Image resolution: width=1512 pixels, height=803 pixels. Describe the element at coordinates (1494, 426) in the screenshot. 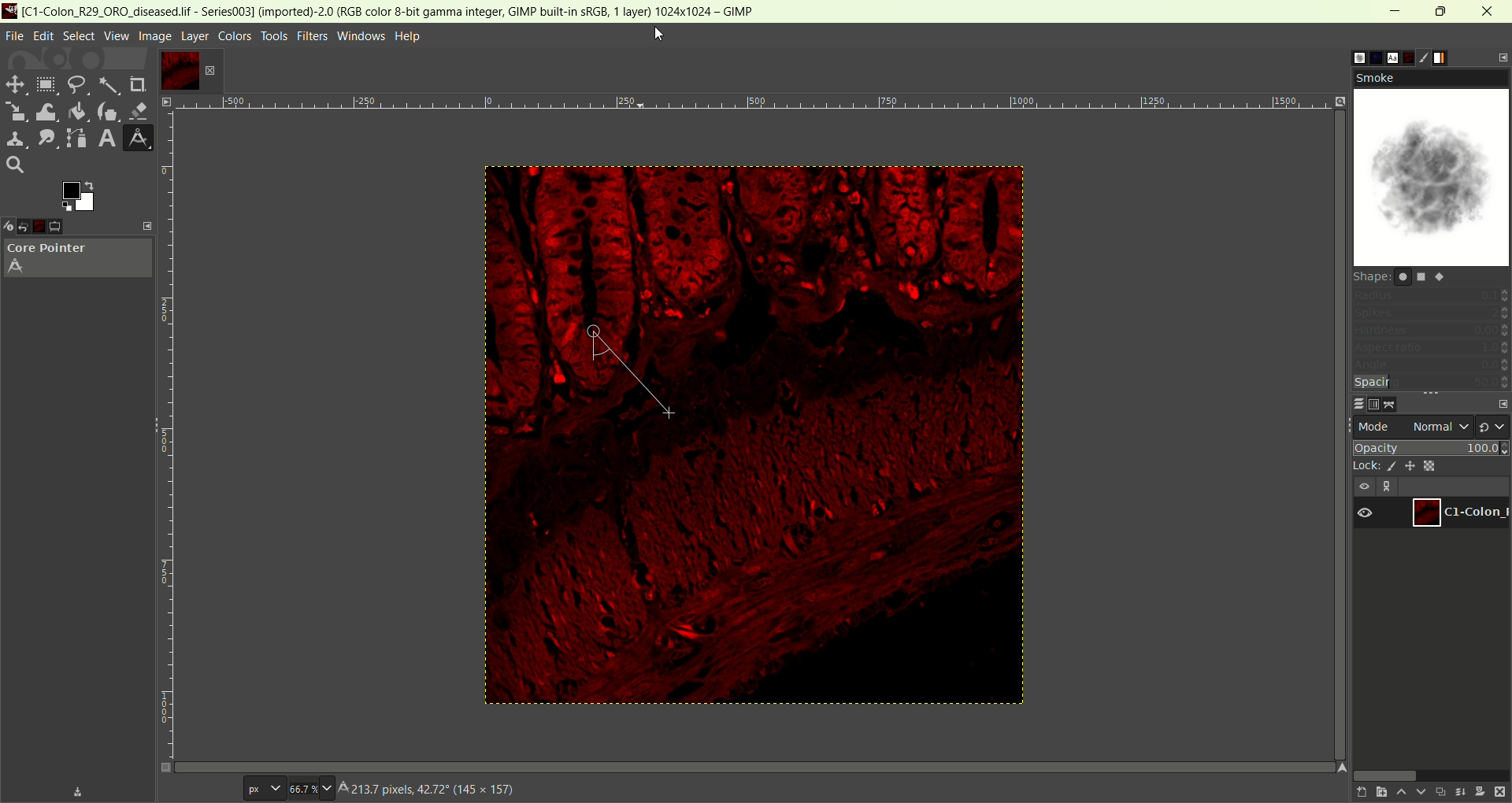

I see `switch to another group of mode` at that location.